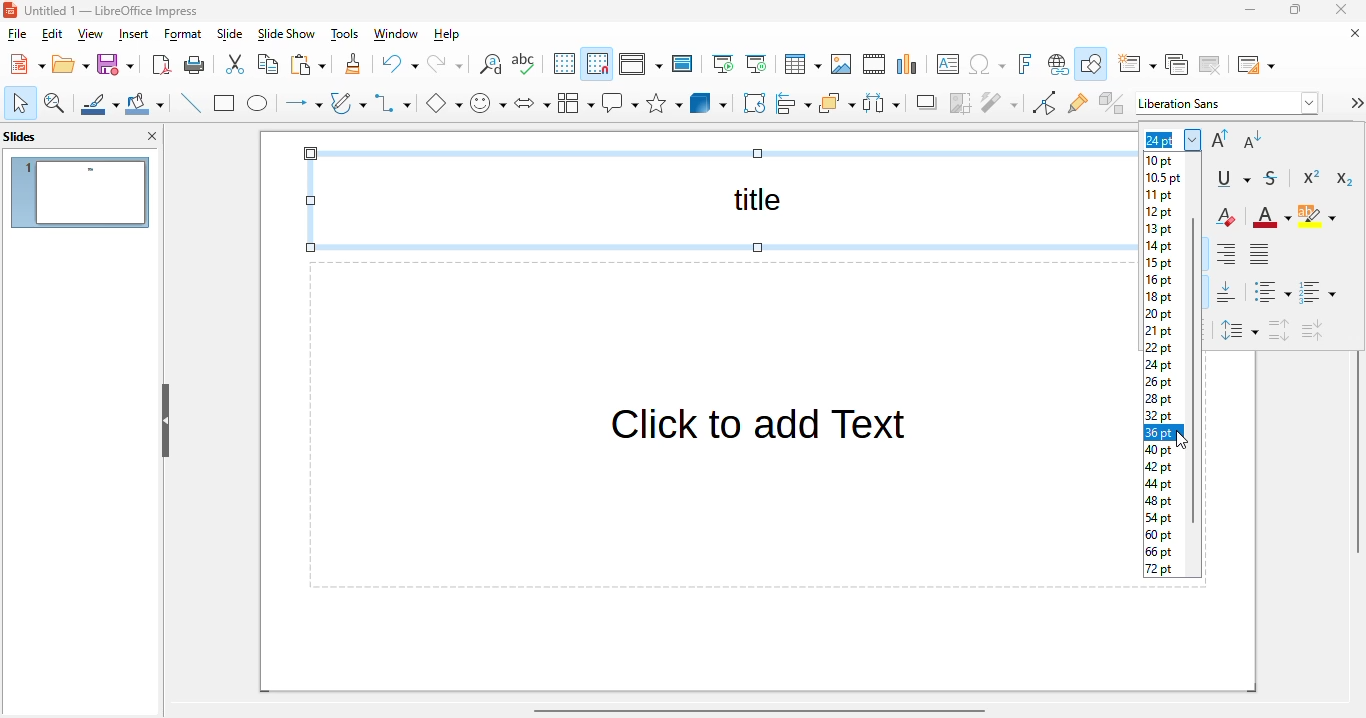 The height and width of the screenshot is (718, 1366). What do you see at coordinates (236, 64) in the screenshot?
I see `cut` at bounding box center [236, 64].